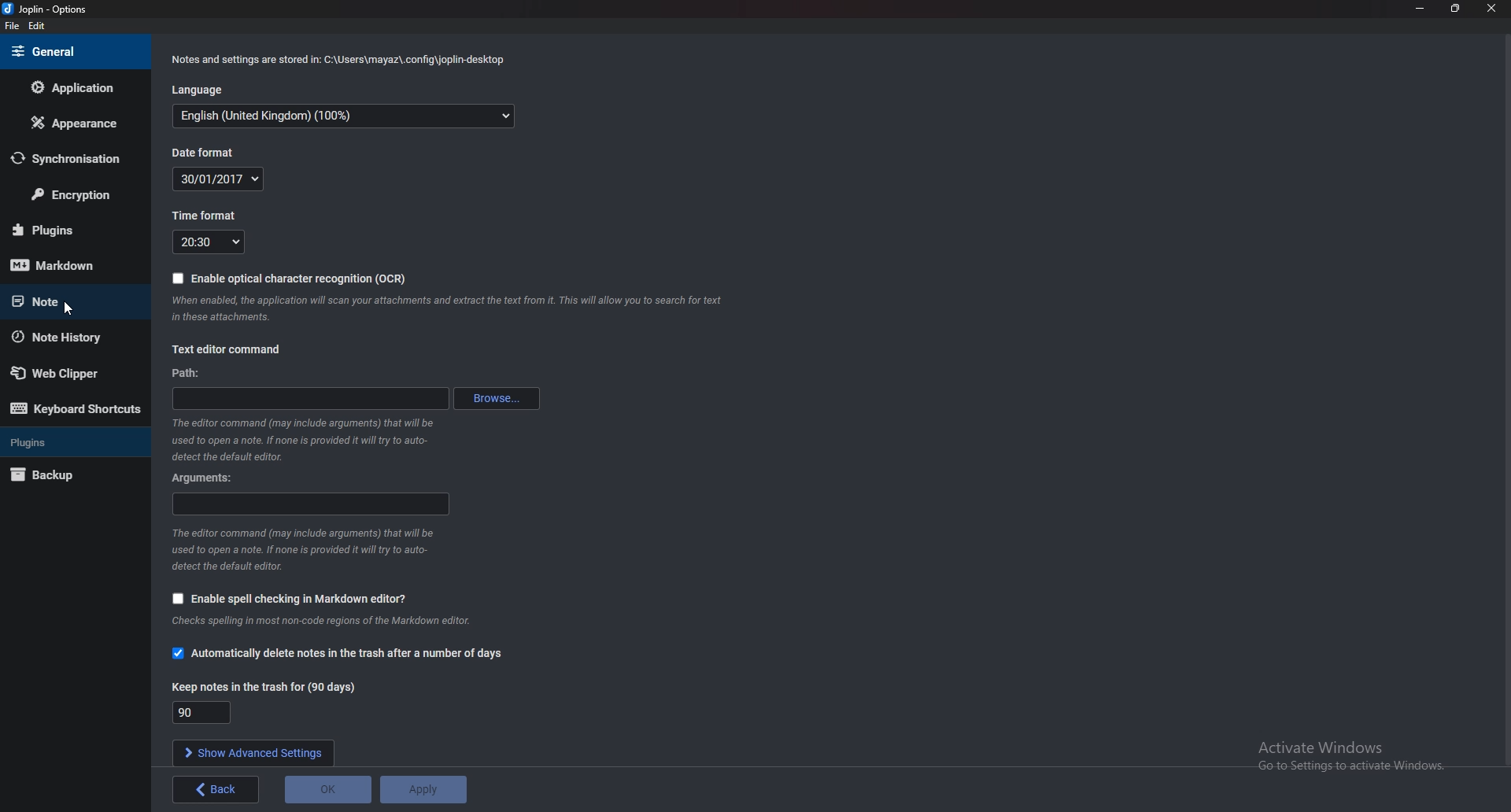 This screenshot has width=1511, height=812. Describe the element at coordinates (203, 713) in the screenshot. I see `Keep notes in the trash for` at that location.